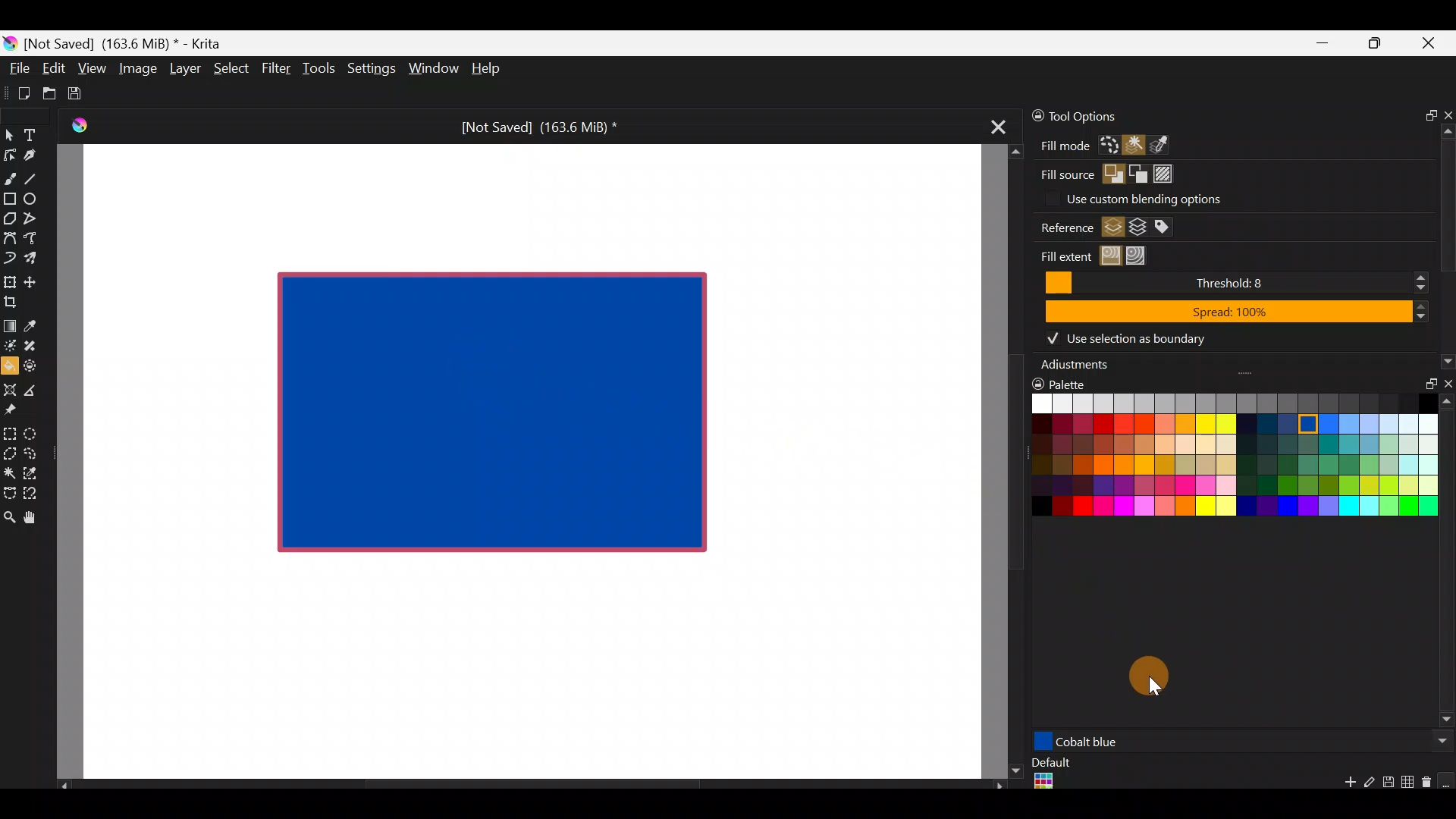 The image size is (1456, 819). What do you see at coordinates (1446, 387) in the screenshot?
I see `Close docker` at bounding box center [1446, 387].